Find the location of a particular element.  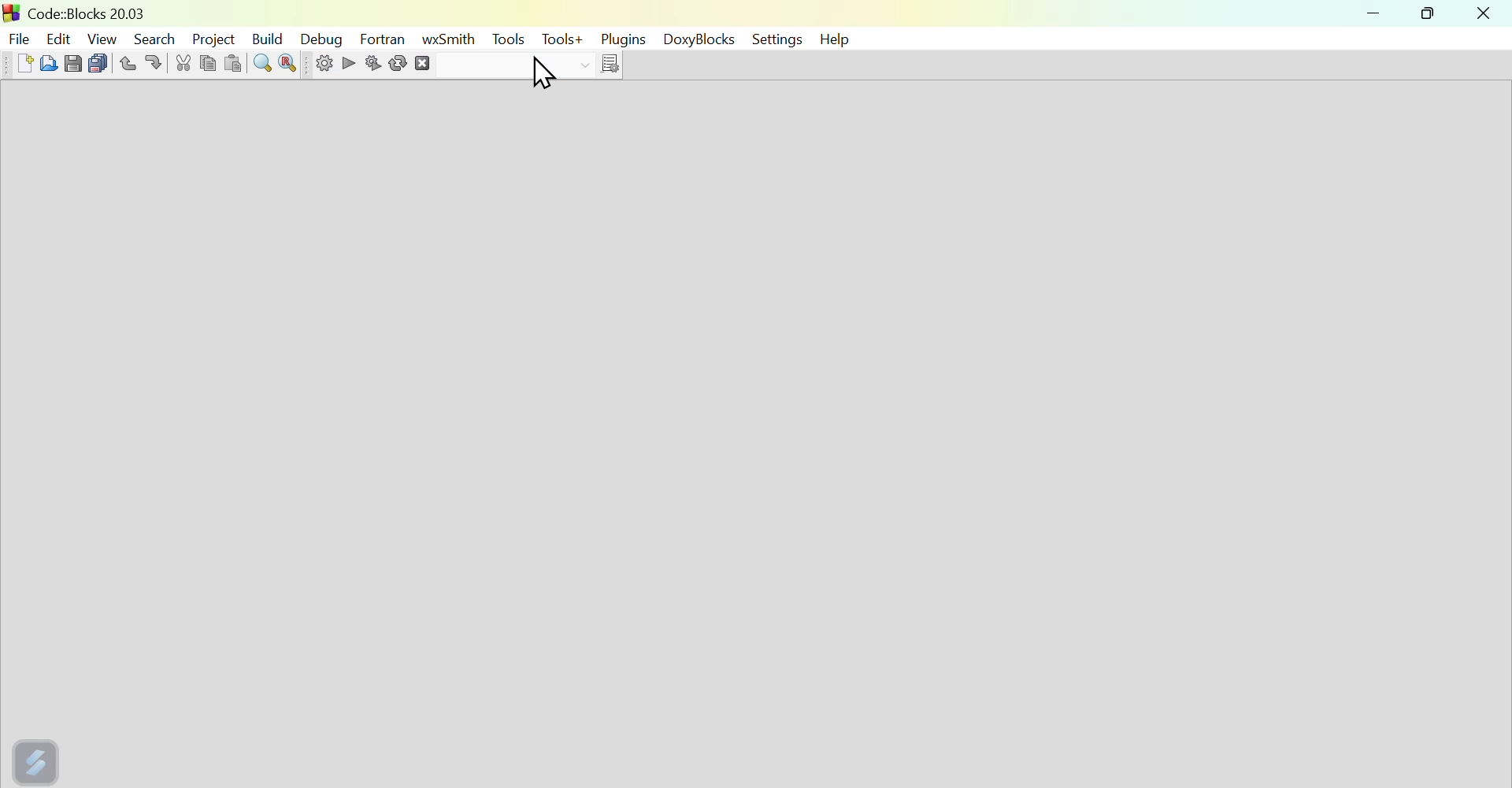

Delete is located at coordinates (439, 65).